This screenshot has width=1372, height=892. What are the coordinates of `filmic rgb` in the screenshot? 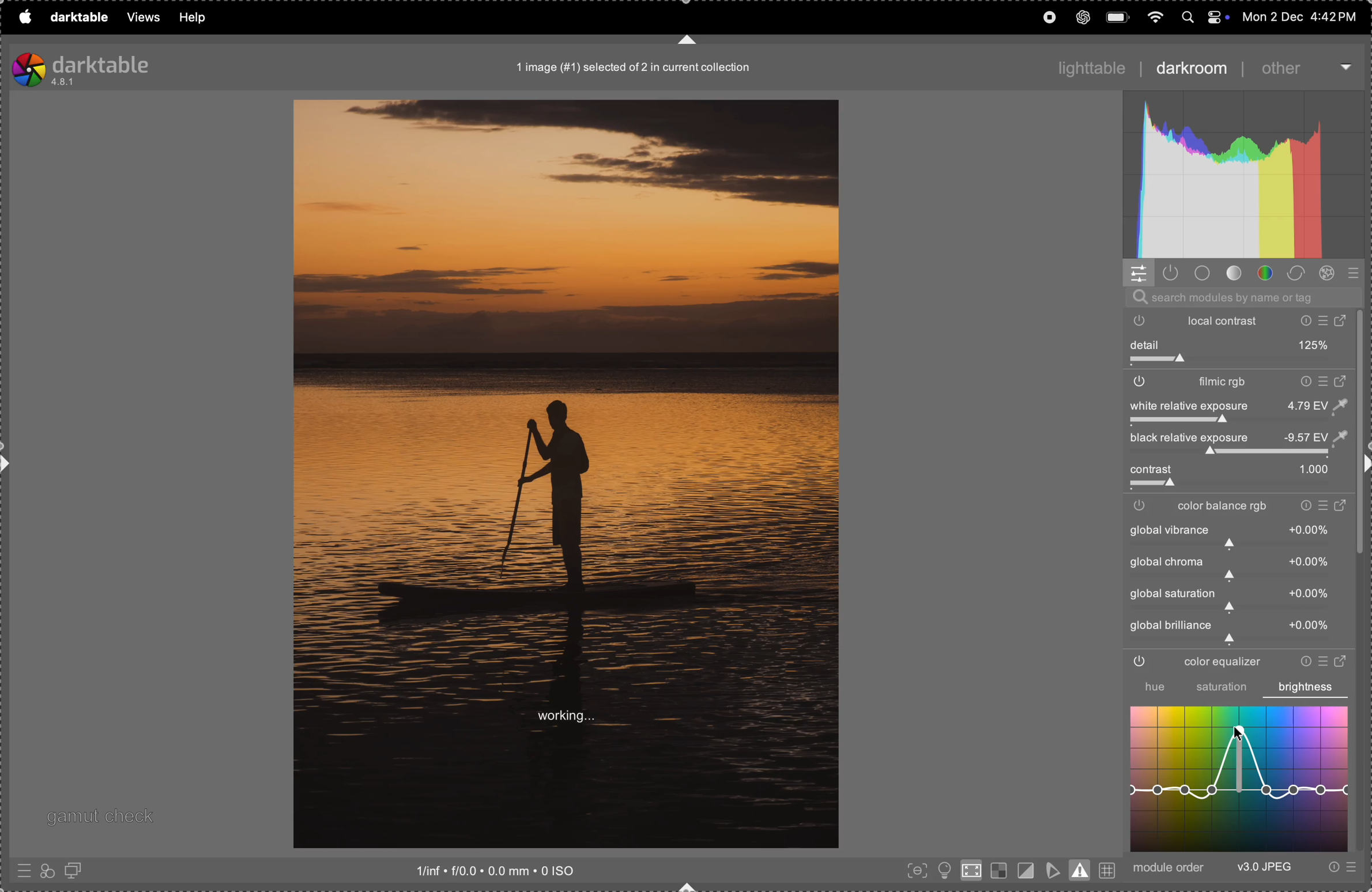 It's located at (1238, 383).